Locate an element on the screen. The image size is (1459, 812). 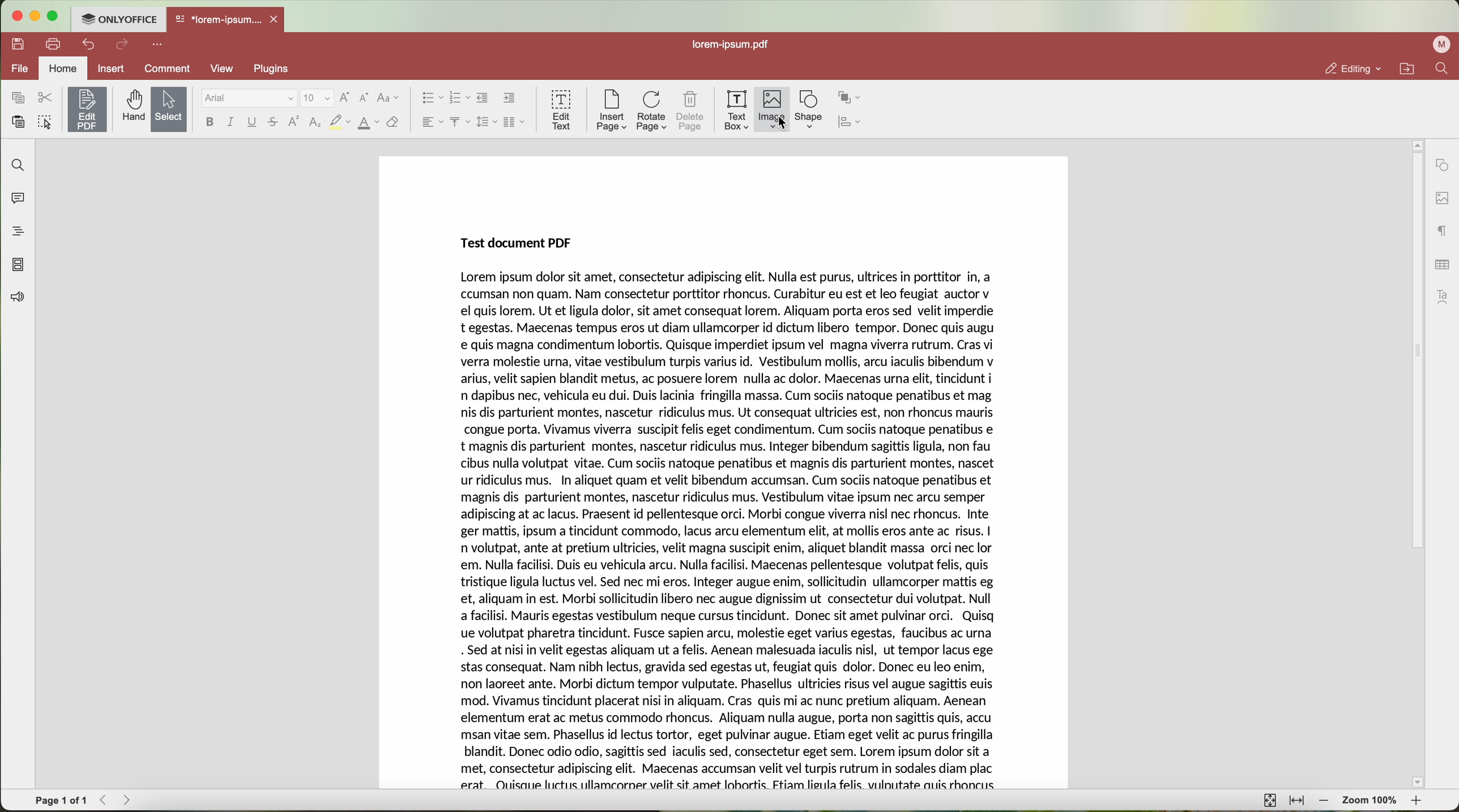
close is located at coordinates (276, 19).